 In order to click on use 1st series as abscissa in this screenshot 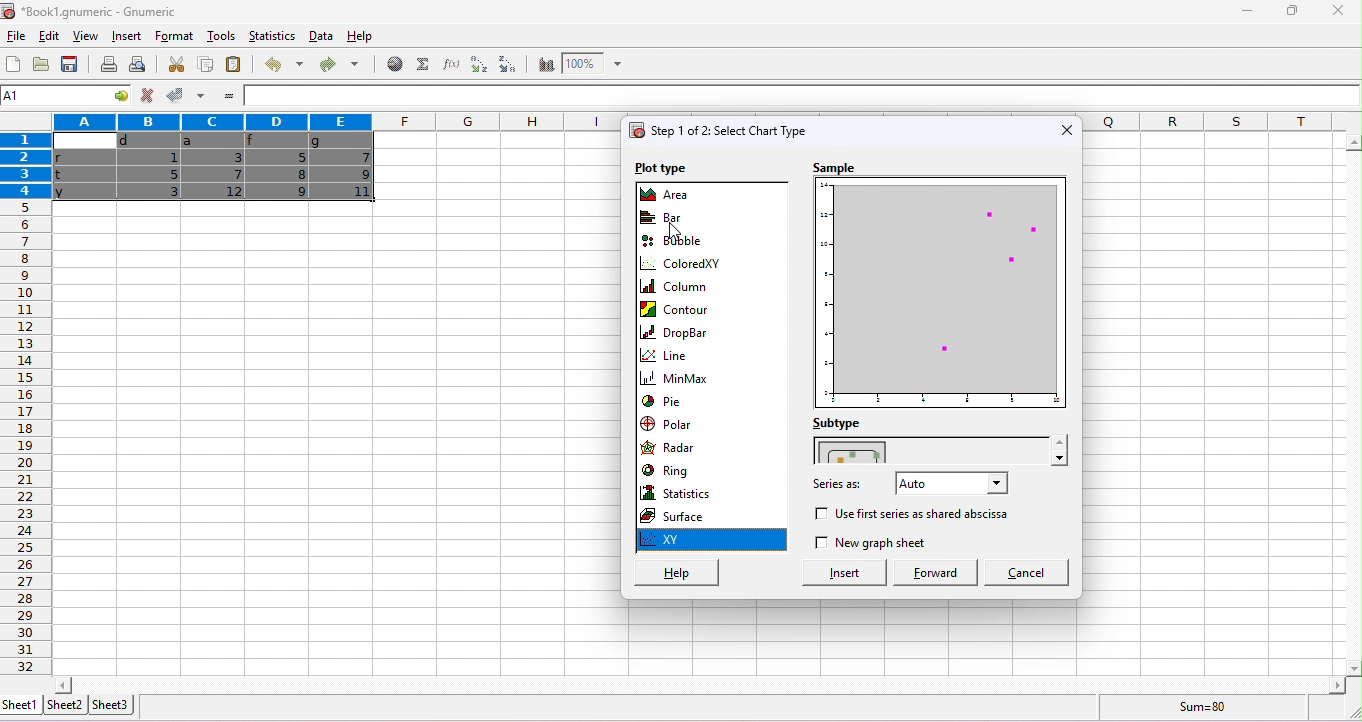, I will do `click(926, 515)`.